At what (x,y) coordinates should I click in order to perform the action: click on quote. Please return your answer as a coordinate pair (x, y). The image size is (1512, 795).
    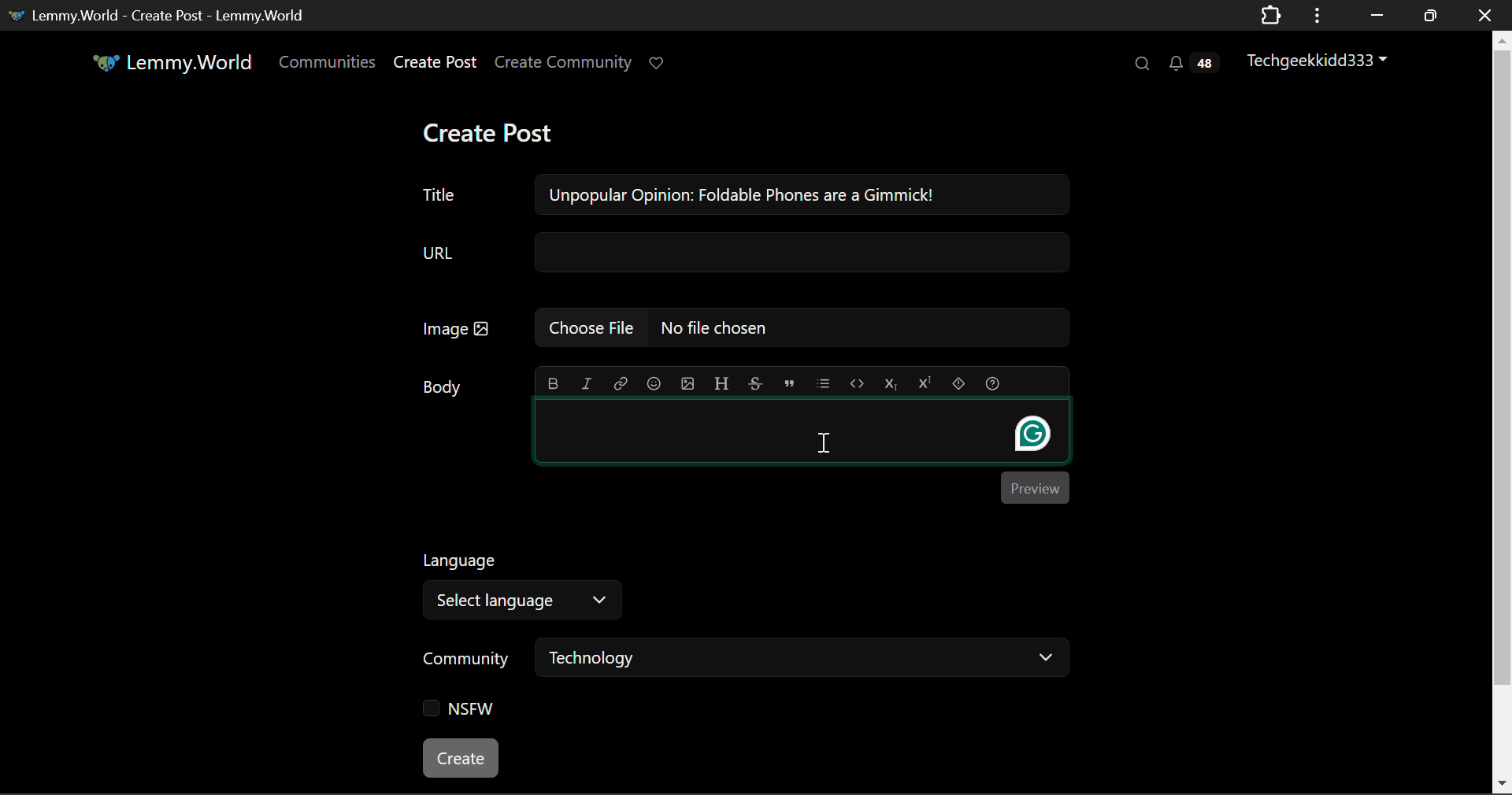
    Looking at the image, I should click on (790, 382).